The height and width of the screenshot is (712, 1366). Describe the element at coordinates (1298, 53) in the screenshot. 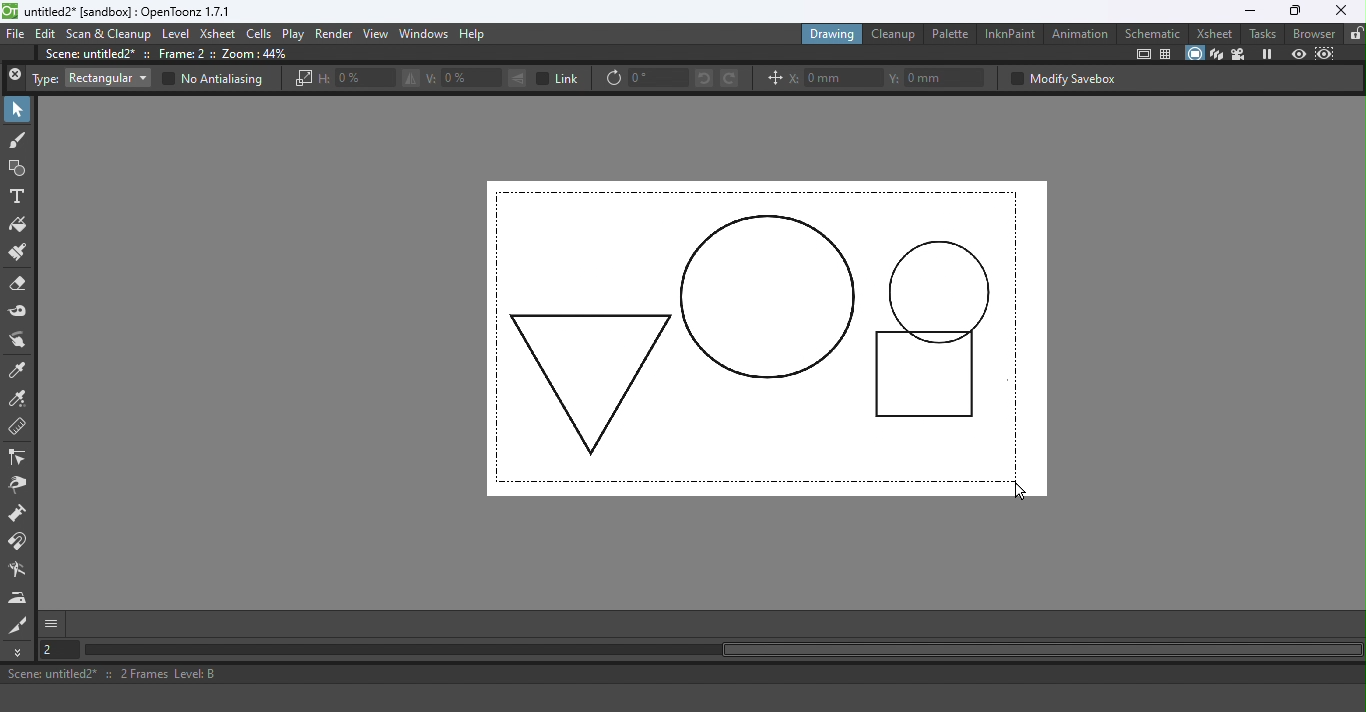

I see `Preview` at that location.